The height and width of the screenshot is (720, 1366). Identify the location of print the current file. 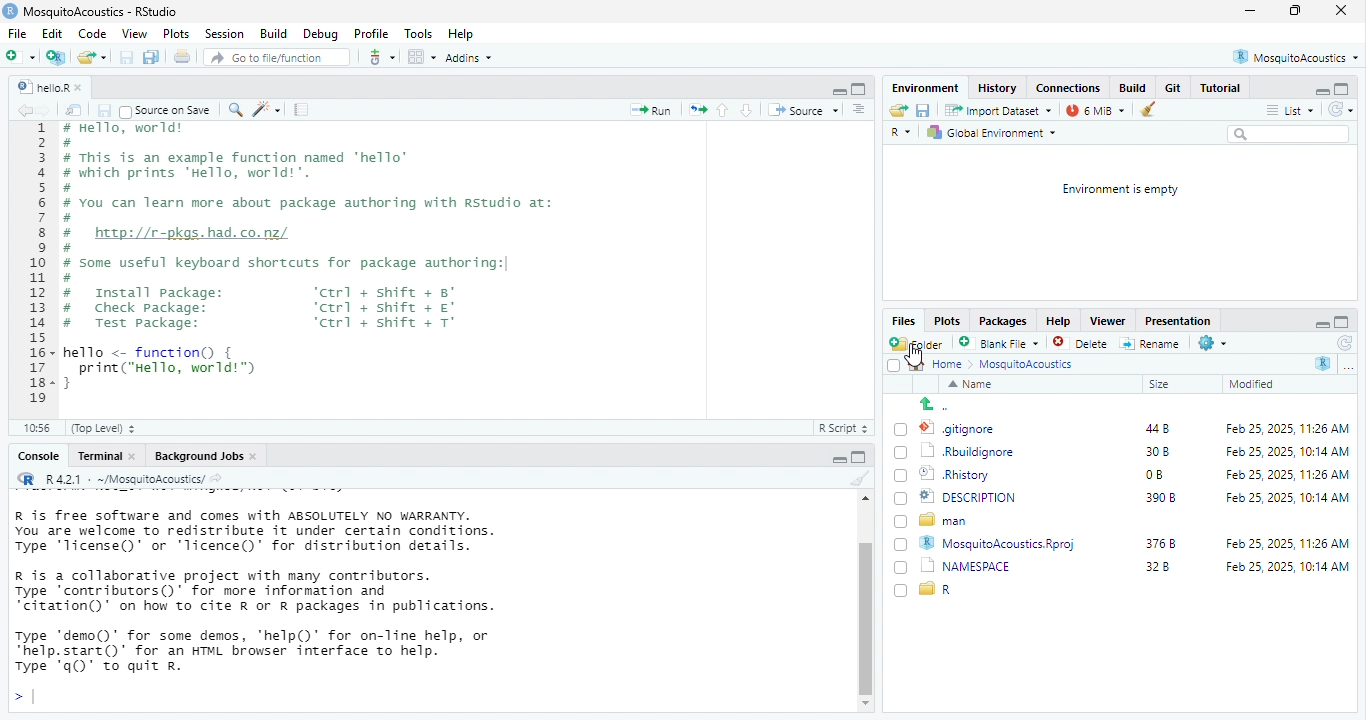
(183, 57).